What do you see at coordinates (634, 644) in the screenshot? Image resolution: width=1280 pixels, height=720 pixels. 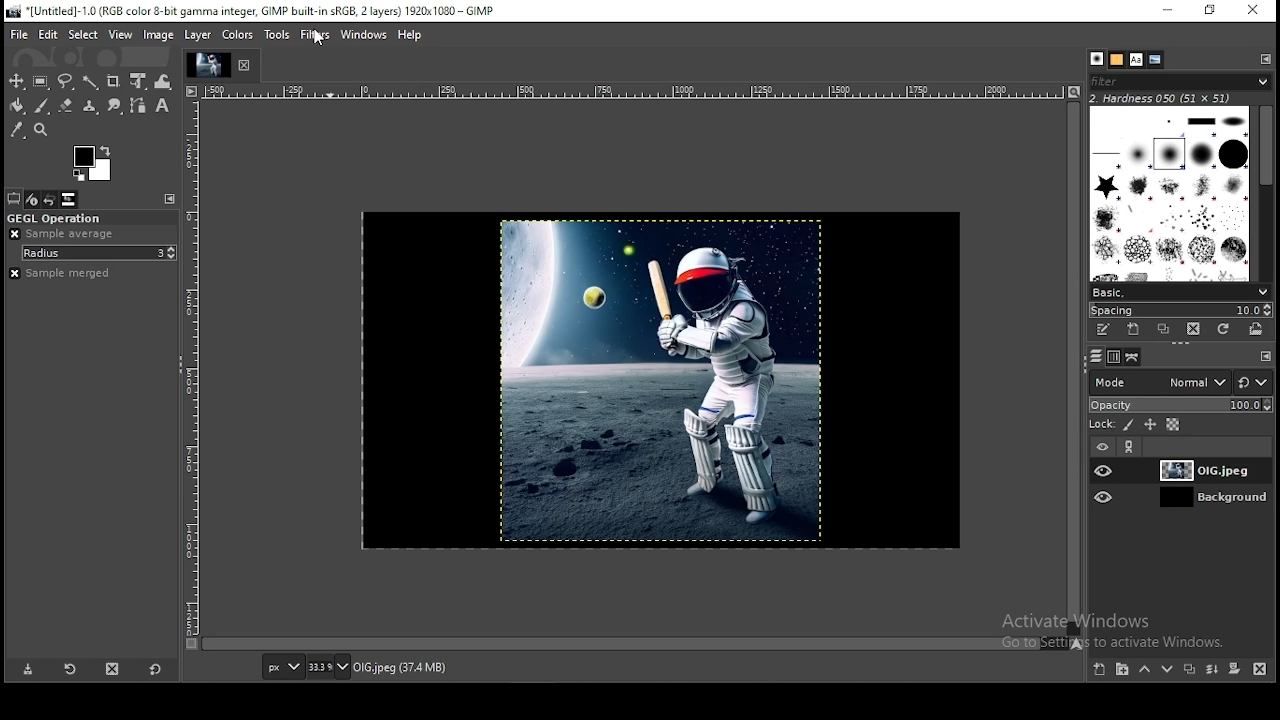 I see `scroll bar` at bounding box center [634, 644].